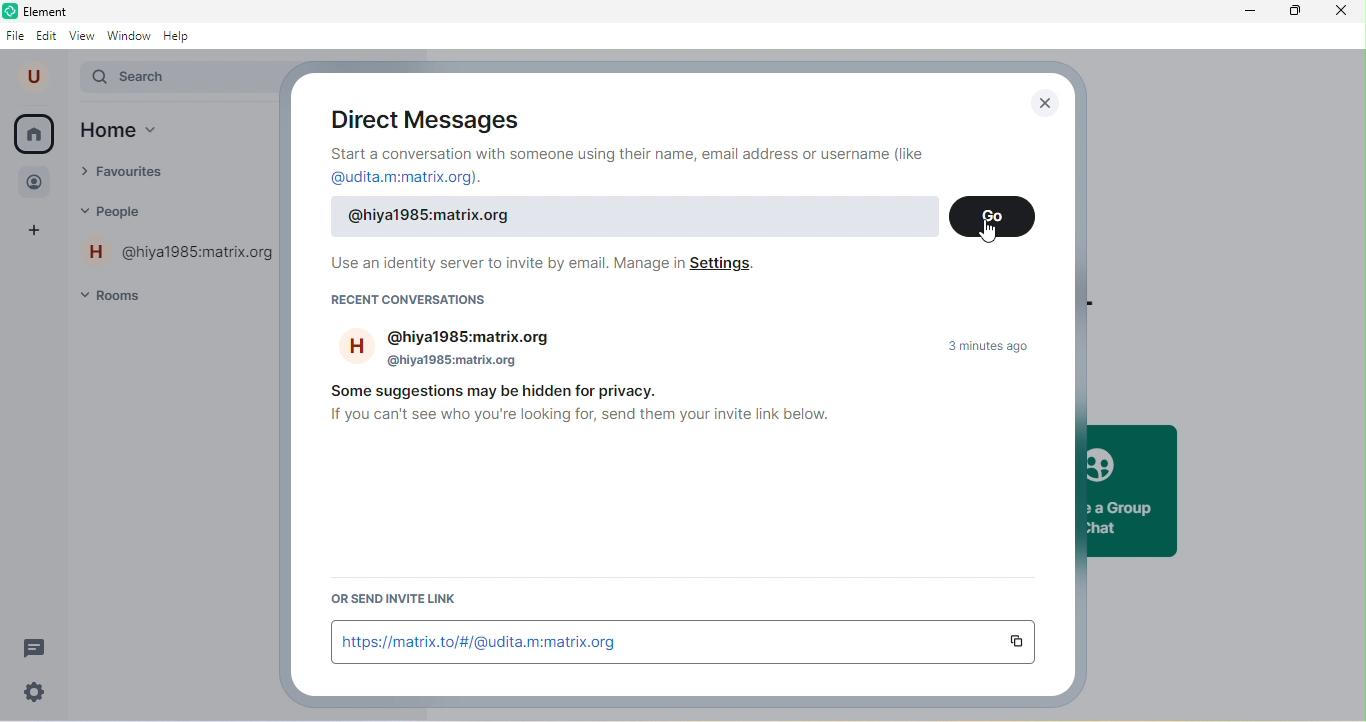 Image resolution: width=1366 pixels, height=722 pixels. Describe the element at coordinates (181, 254) in the screenshot. I see `@hiya1985:matrix.org` at that location.